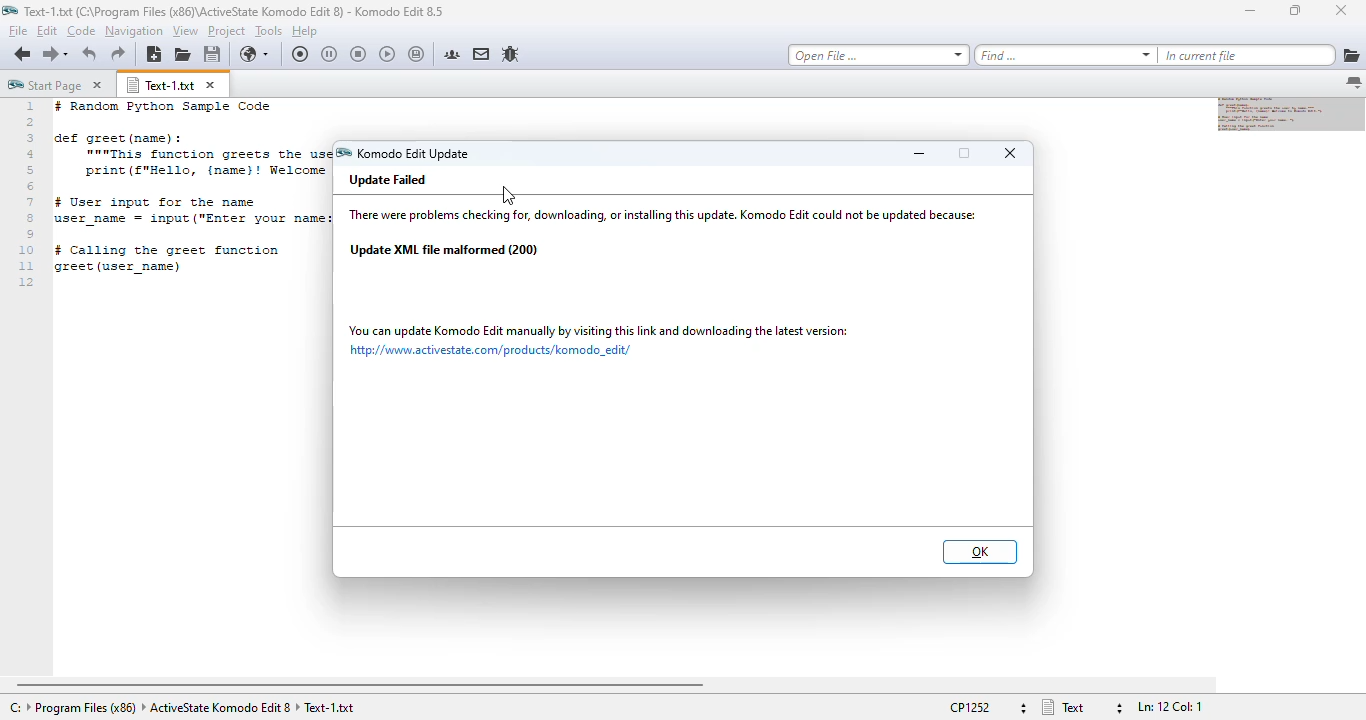 This screenshot has width=1366, height=720. I want to click on save last macro to toolbox, so click(416, 54).